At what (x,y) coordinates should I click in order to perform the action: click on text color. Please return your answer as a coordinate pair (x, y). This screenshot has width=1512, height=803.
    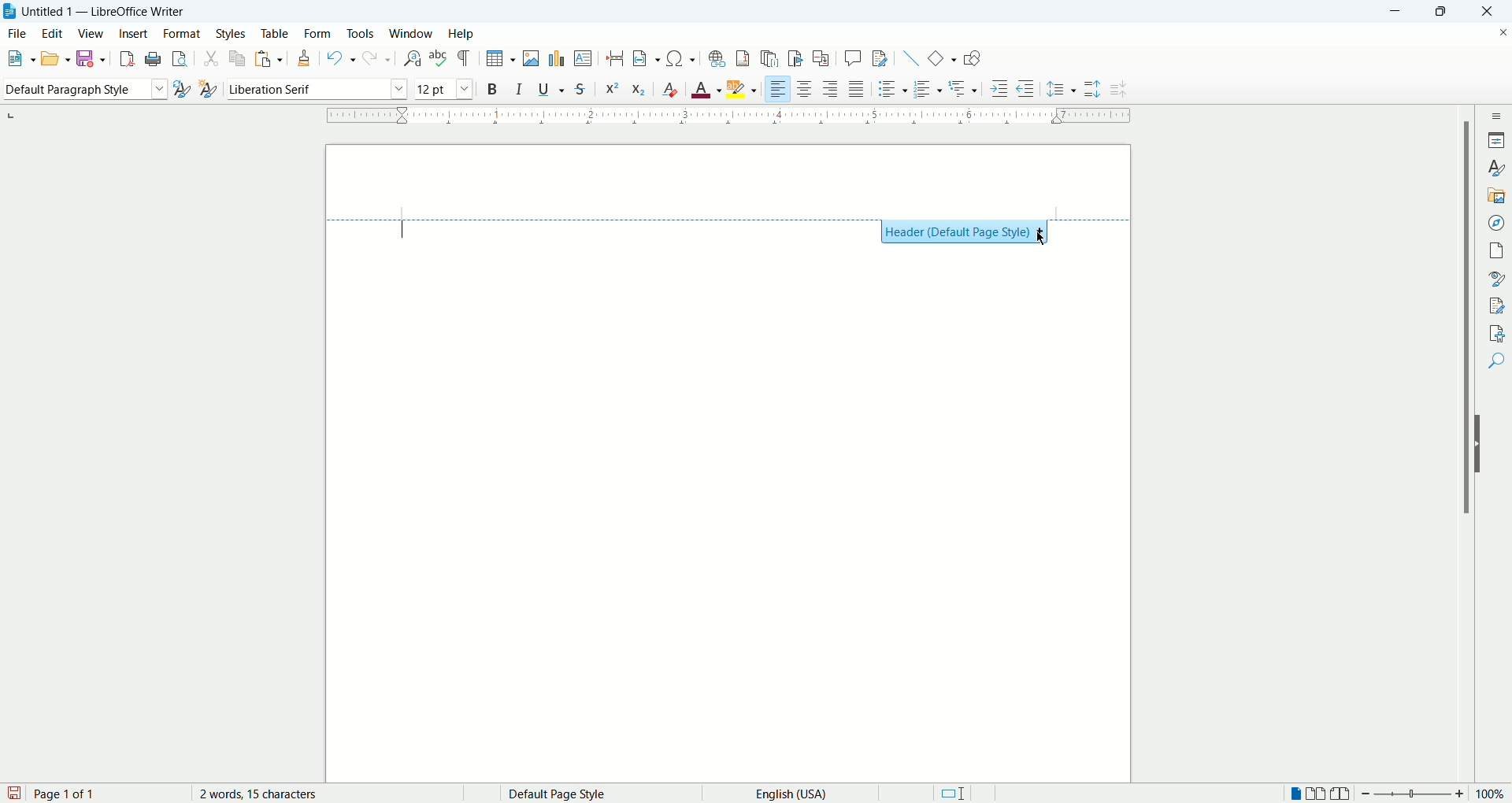
    Looking at the image, I should click on (703, 88).